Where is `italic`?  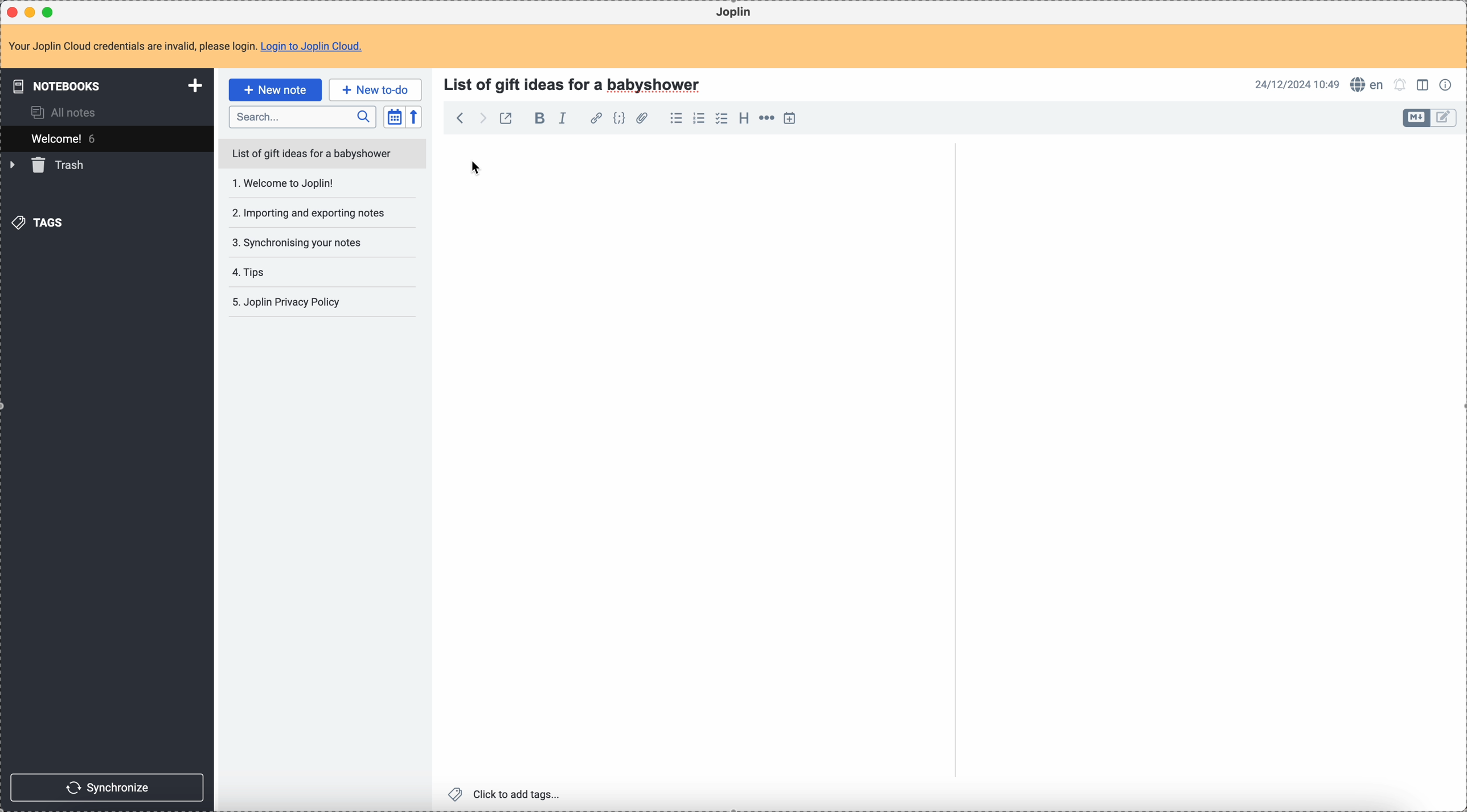
italic is located at coordinates (564, 119).